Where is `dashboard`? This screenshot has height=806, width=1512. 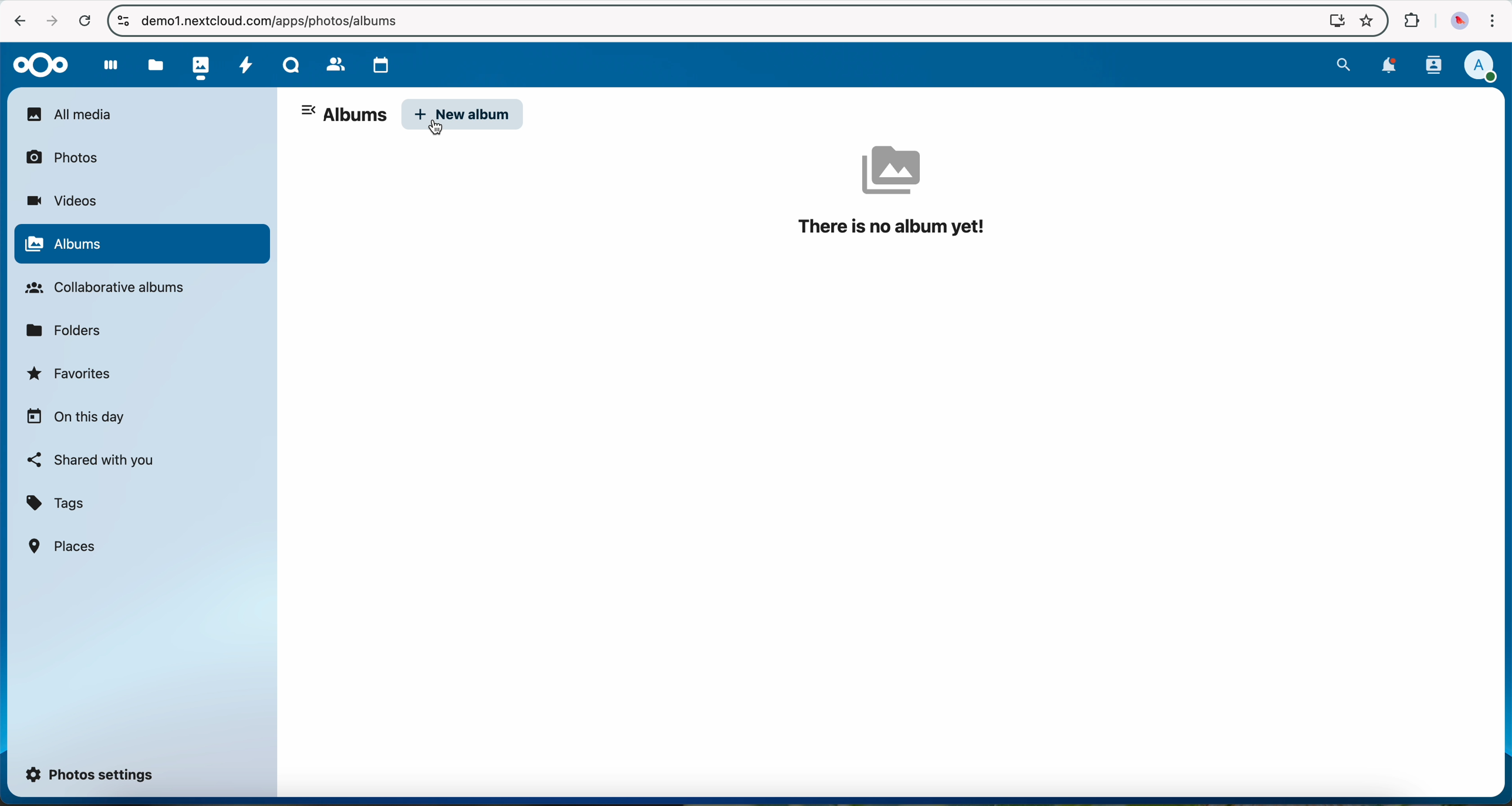
dashboard is located at coordinates (105, 65).